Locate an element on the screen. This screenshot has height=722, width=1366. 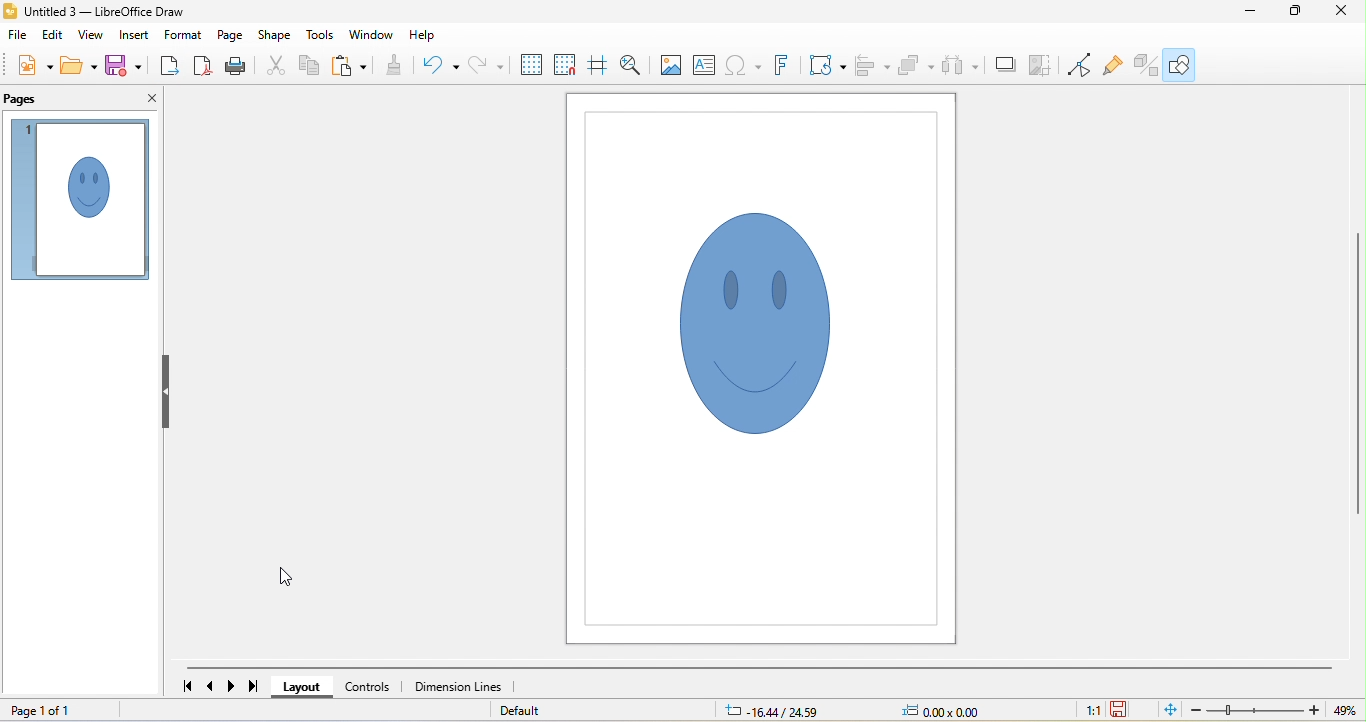
1:1 is located at coordinates (1092, 709).